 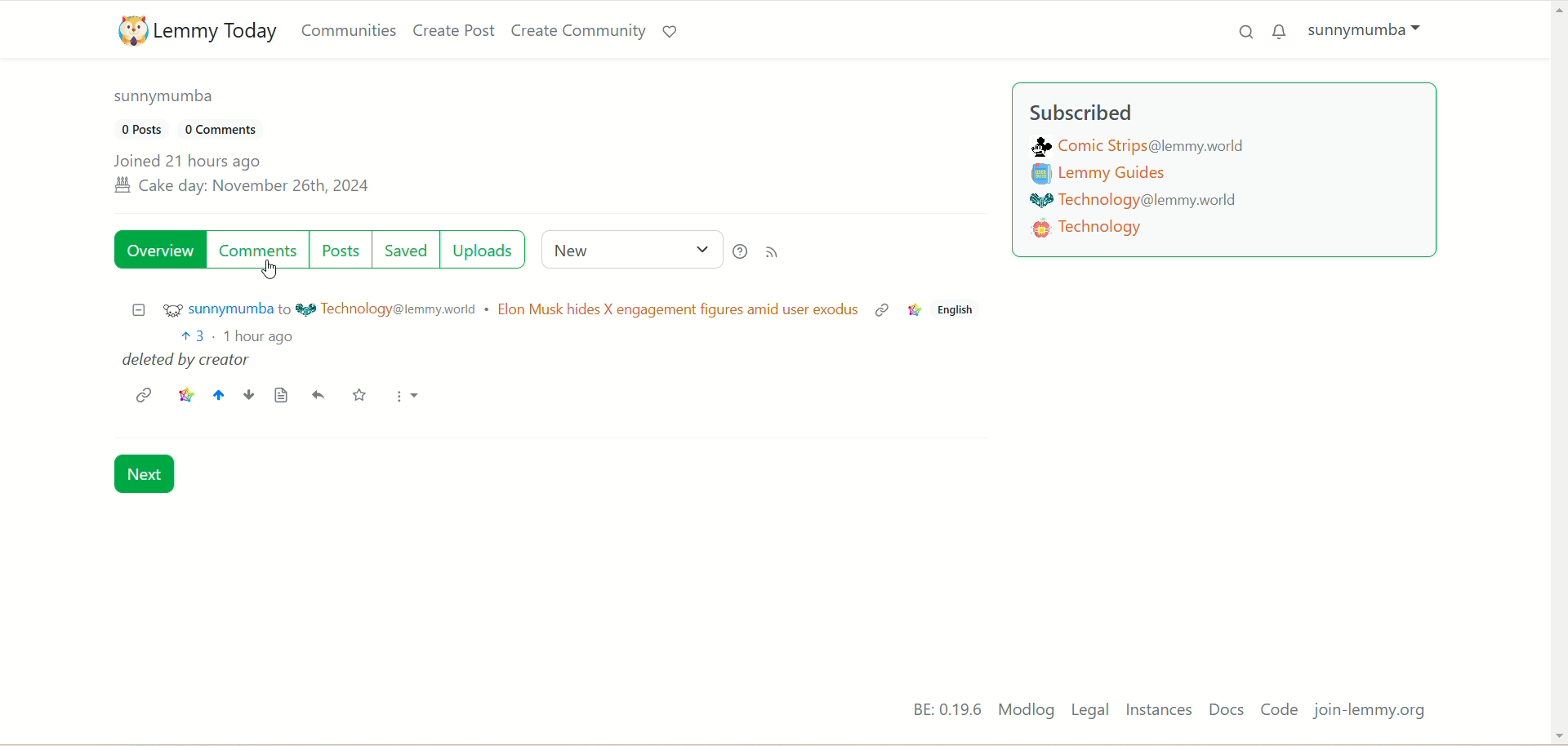 What do you see at coordinates (263, 337) in the screenshot?
I see `1 hour ago` at bounding box center [263, 337].